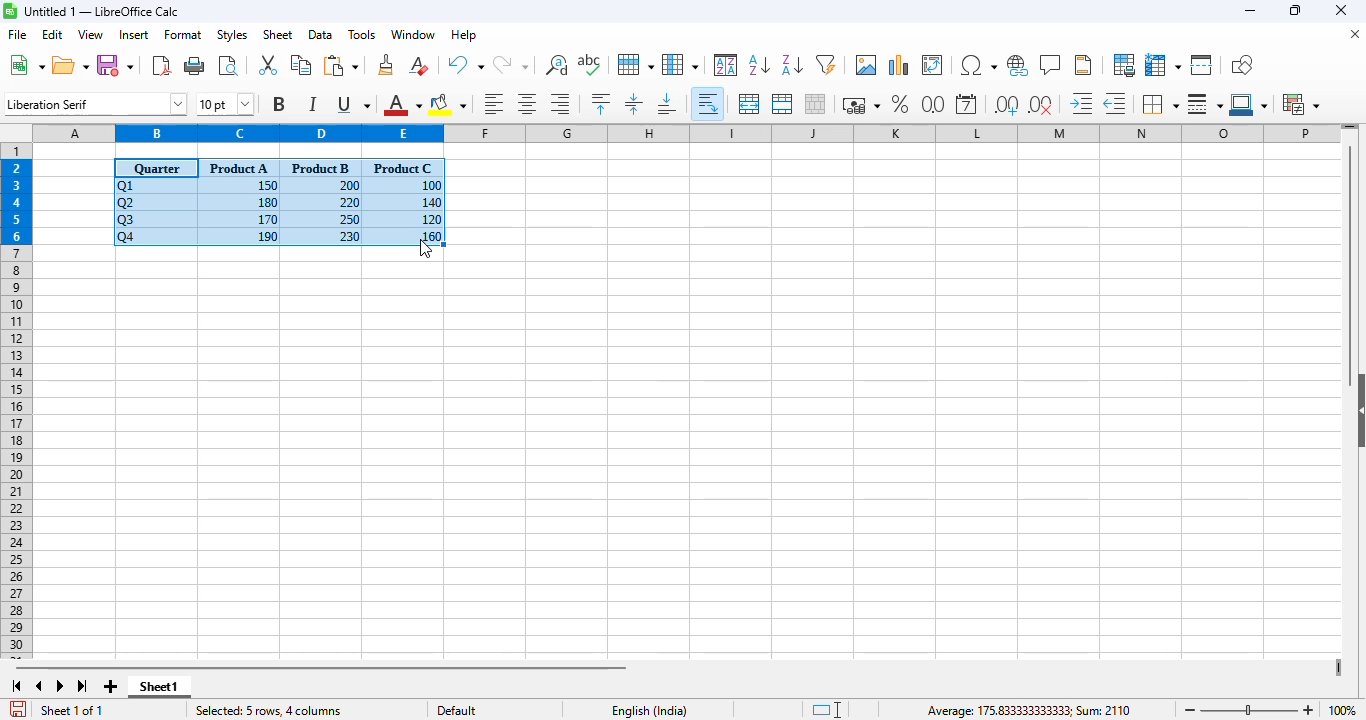 The image size is (1366, 720). What do you see at coordinates (750, 104) in the screenshot?
I see `merge and center or unmerge cells depending on the current toggle state` at bounding box center [750, 104].